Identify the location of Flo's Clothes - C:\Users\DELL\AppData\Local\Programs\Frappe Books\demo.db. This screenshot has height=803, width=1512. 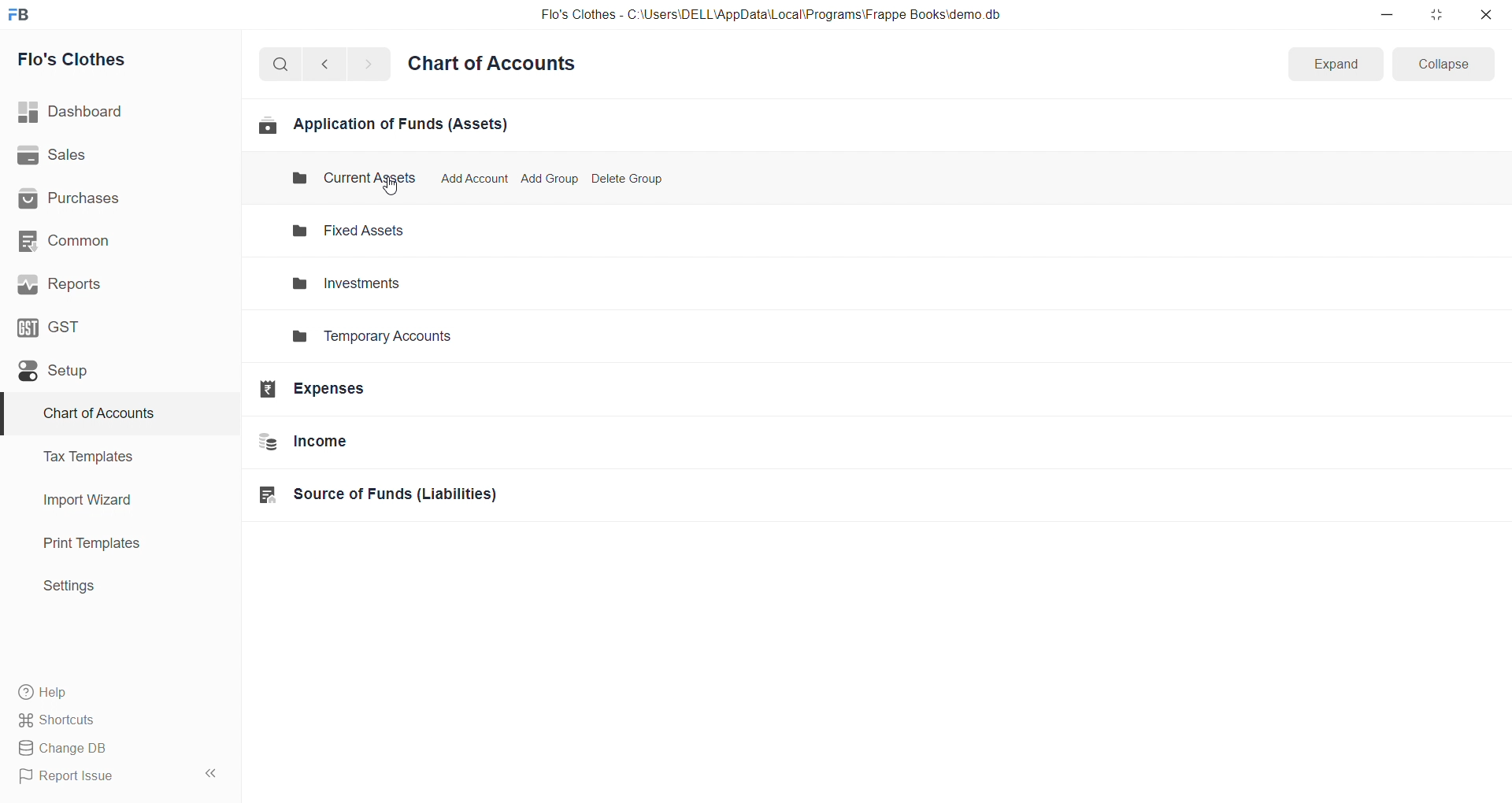
(771, 15).